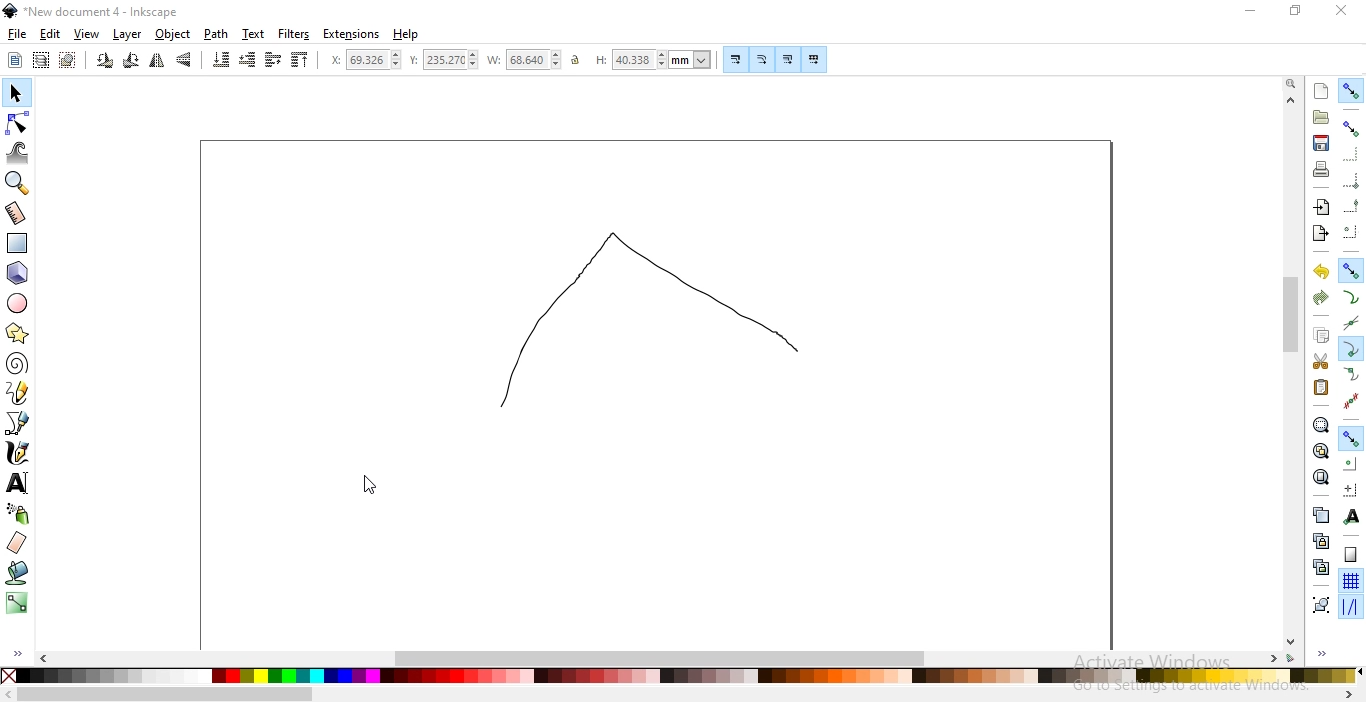  I want to click on cut the selected clones links to the originals, so click(1320, 567).